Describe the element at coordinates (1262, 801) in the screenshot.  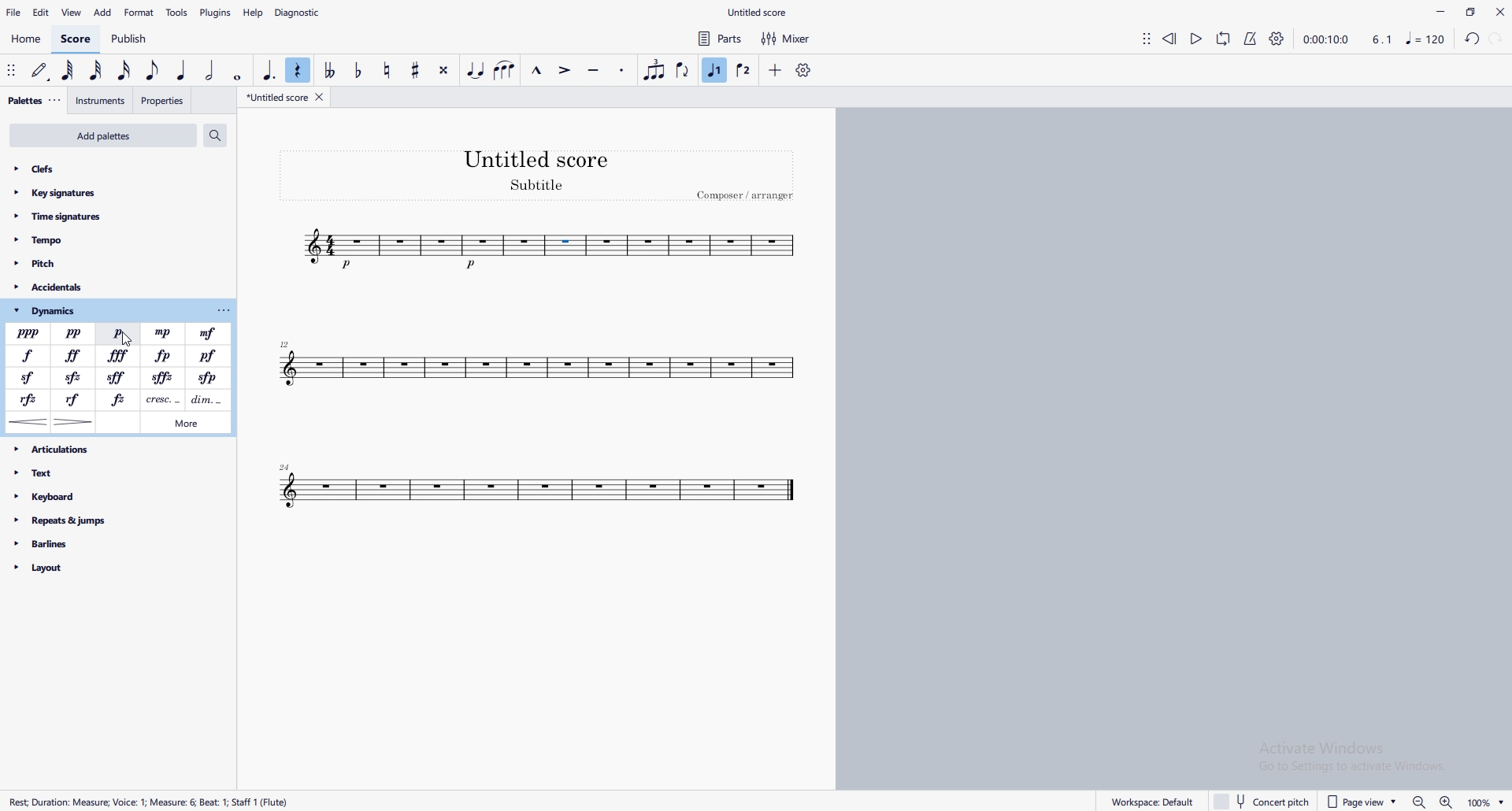
I see `concert pitch` at that location.